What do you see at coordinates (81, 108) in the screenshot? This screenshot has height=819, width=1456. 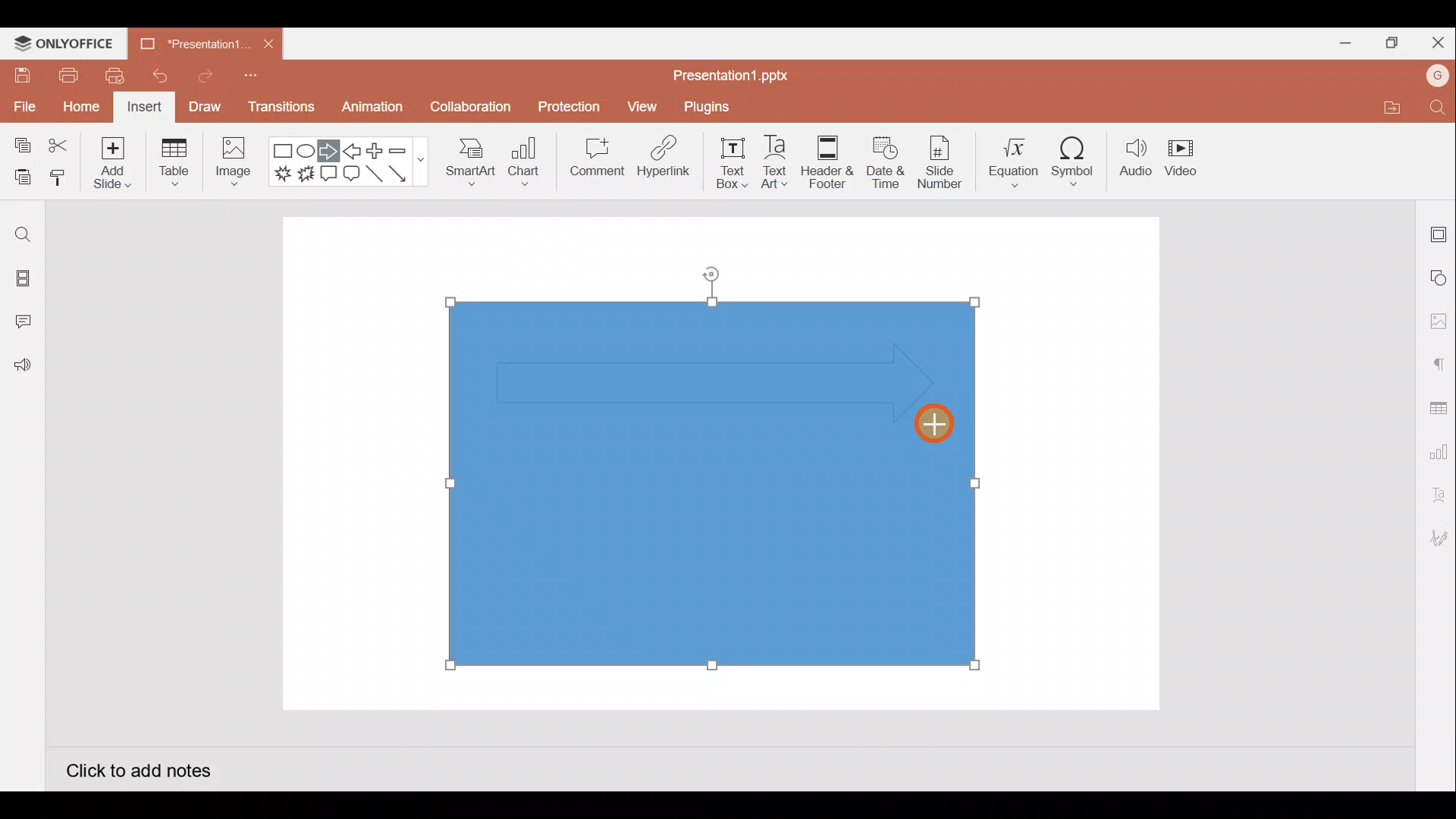 I see `Home` at bounding box center [81, 108].